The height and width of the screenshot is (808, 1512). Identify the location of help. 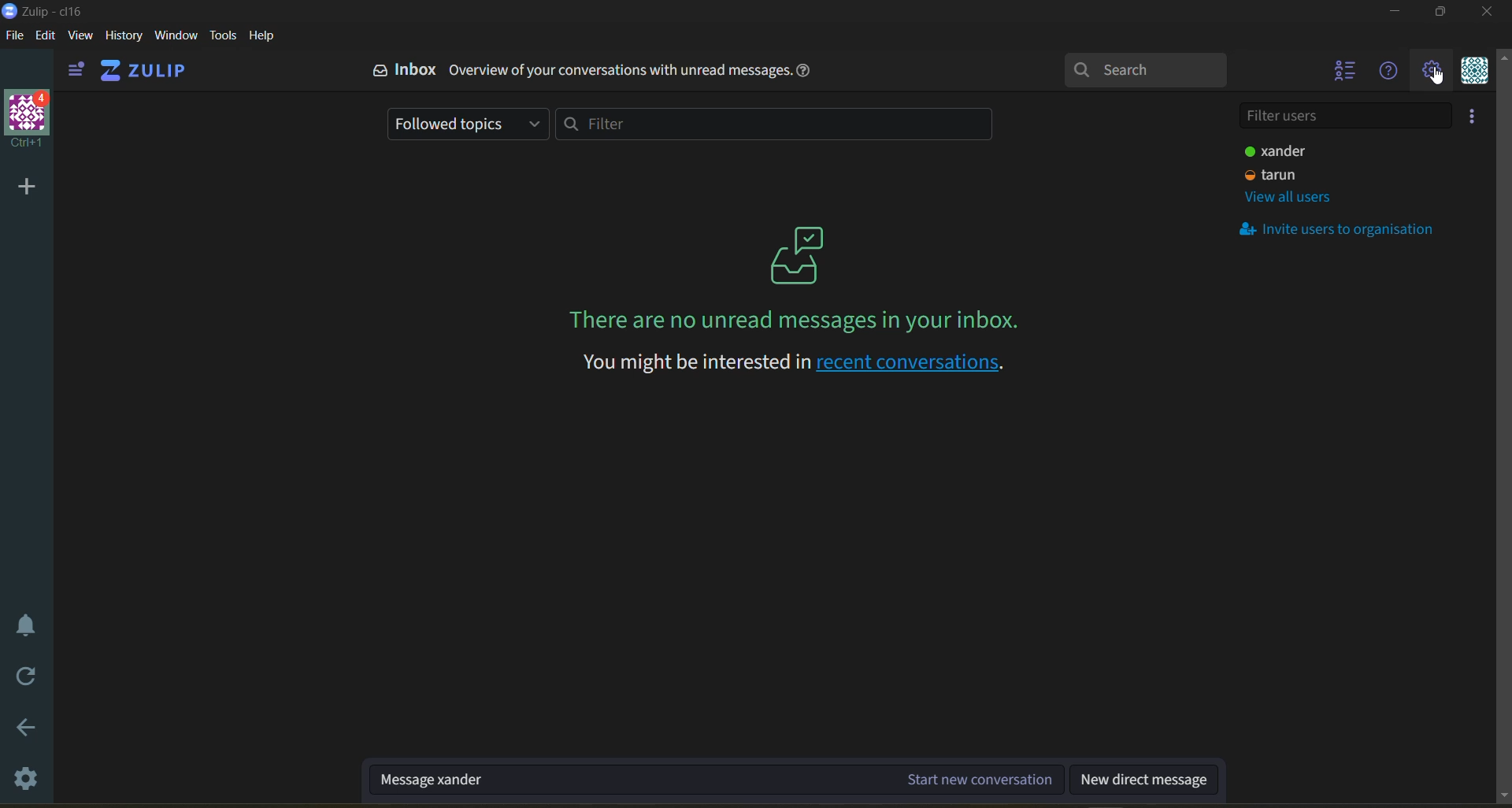
(805, 73).